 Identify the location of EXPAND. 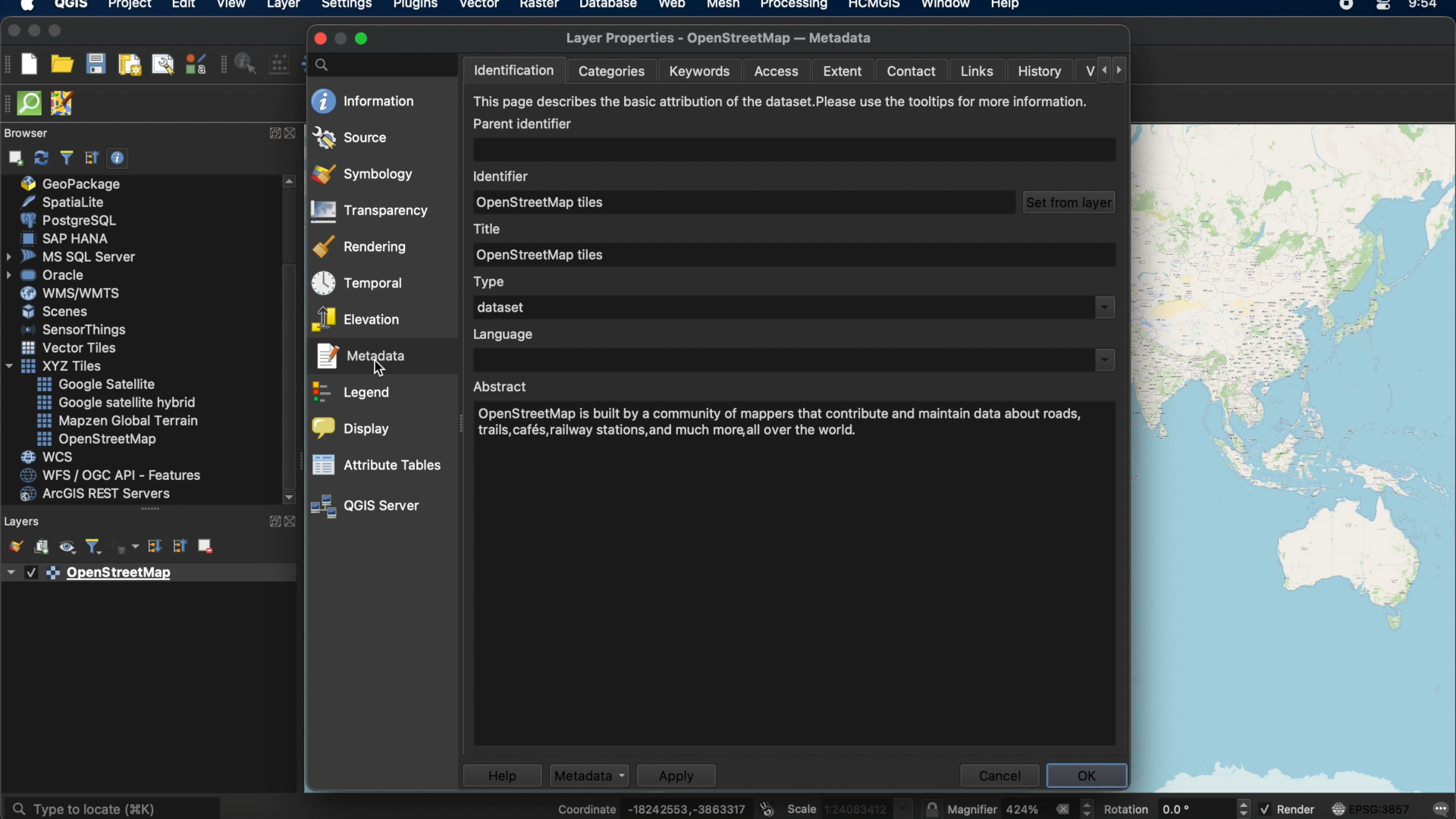
(272, 133).